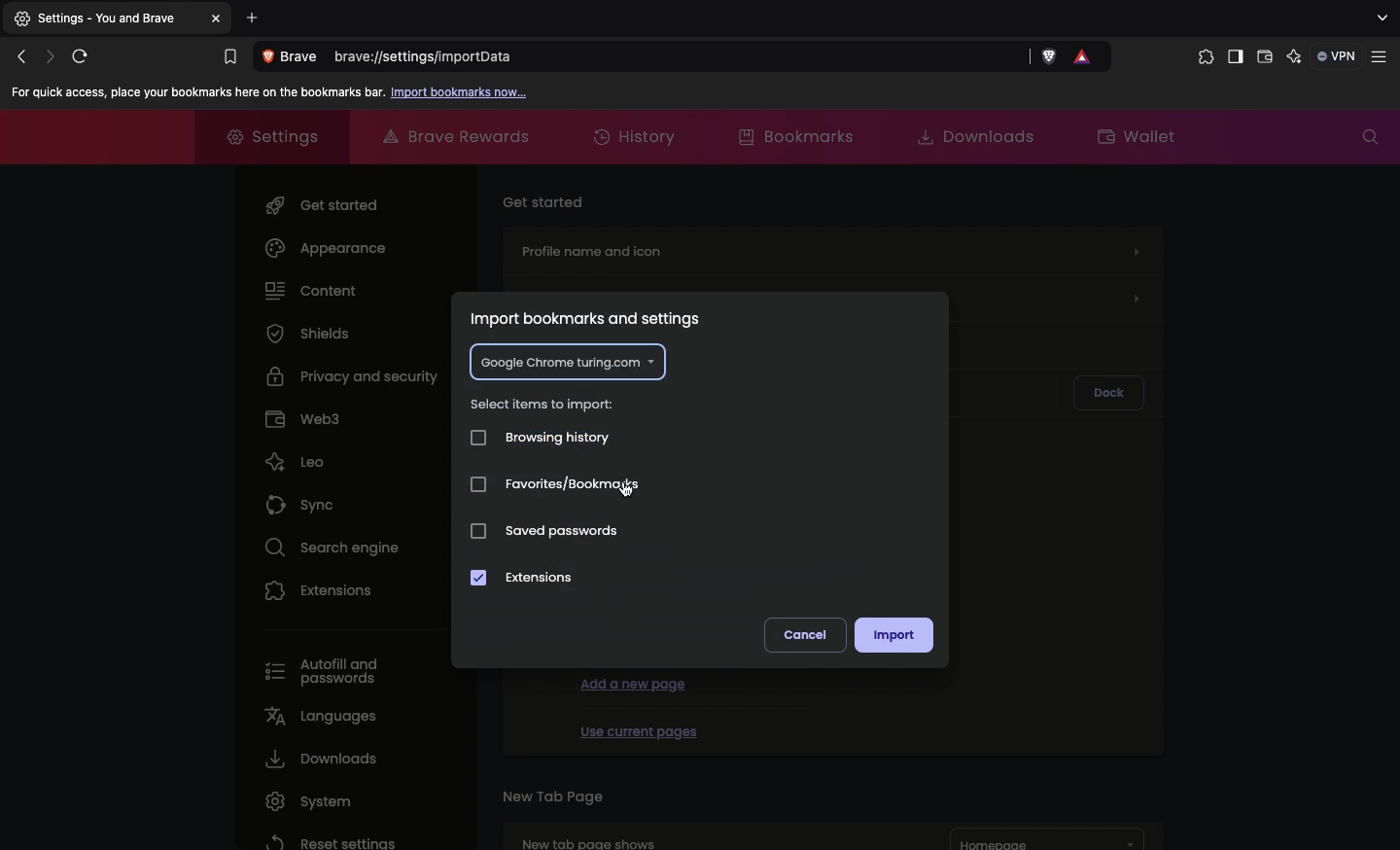  Describe the element at coordinates (545, 199) in the screenshot. I see `Get started` at that location.